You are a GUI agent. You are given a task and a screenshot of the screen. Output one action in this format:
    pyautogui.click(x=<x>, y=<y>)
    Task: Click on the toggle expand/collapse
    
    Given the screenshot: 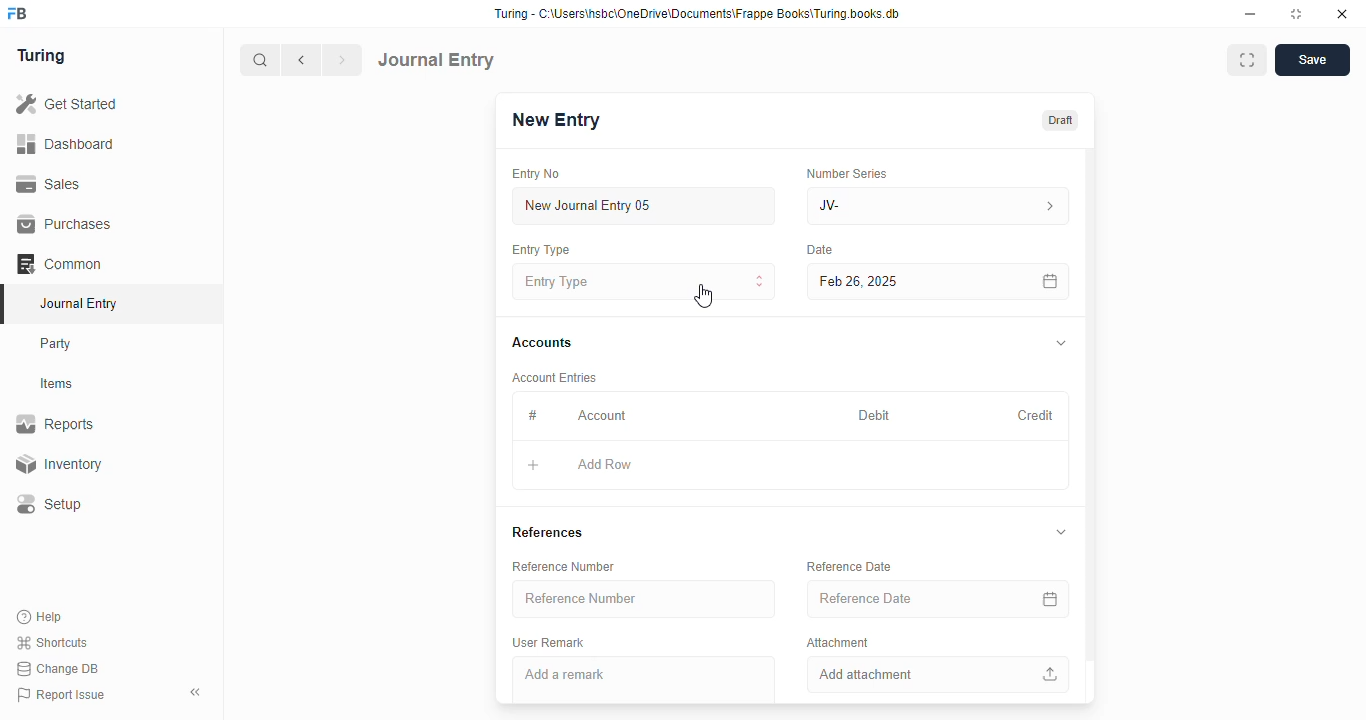 What is the action you would take?
    pyautogui.click(x=1062, y=344)
    